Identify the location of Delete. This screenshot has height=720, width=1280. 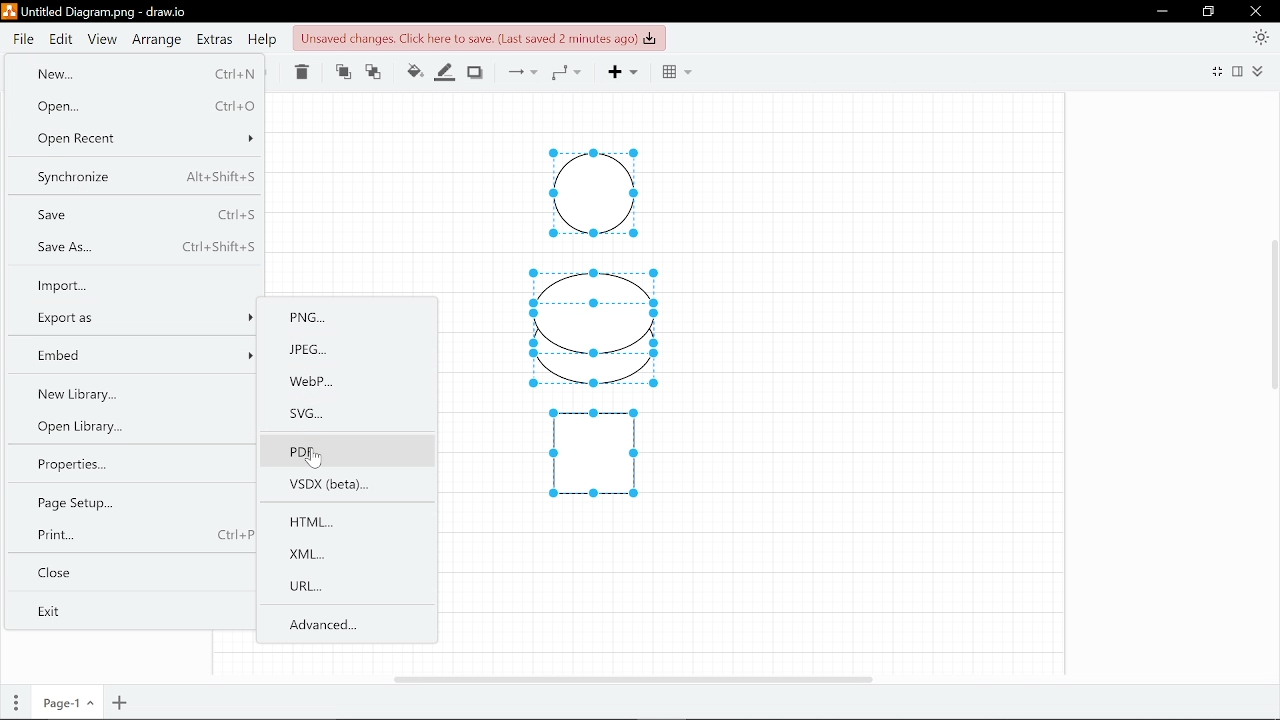
(300, 73).